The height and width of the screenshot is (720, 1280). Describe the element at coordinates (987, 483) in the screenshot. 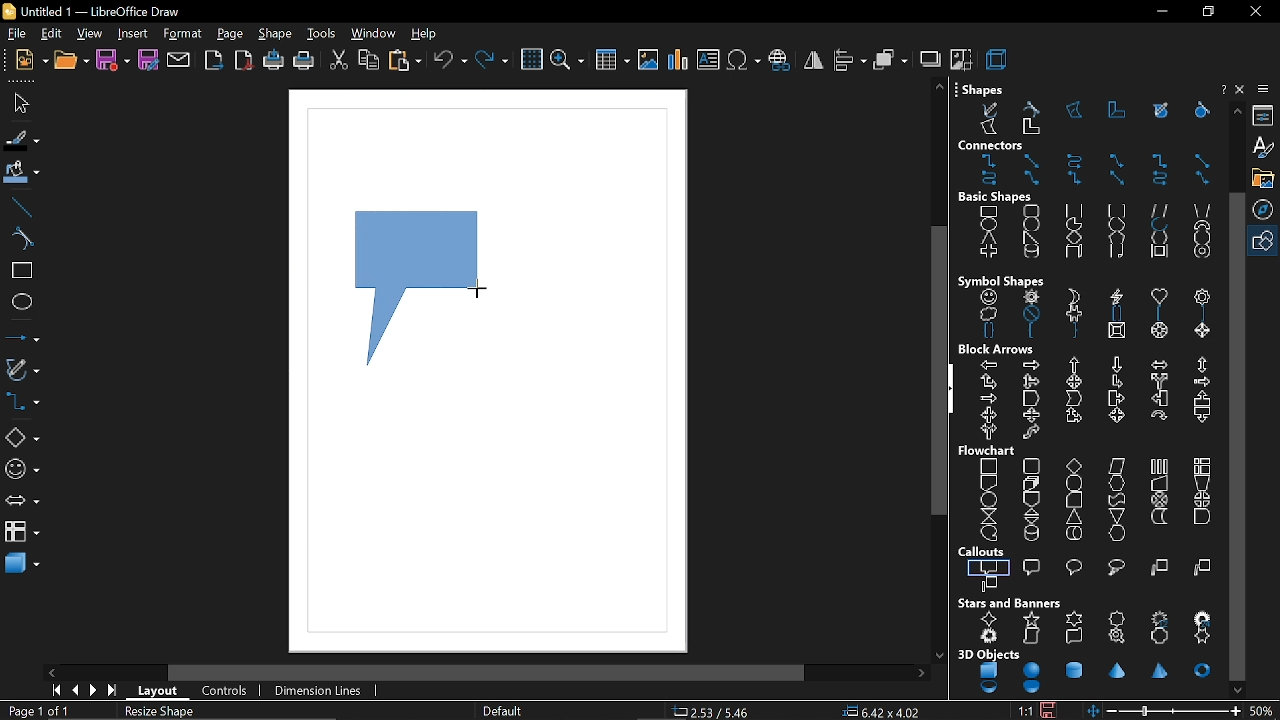

I see `document` at that location.